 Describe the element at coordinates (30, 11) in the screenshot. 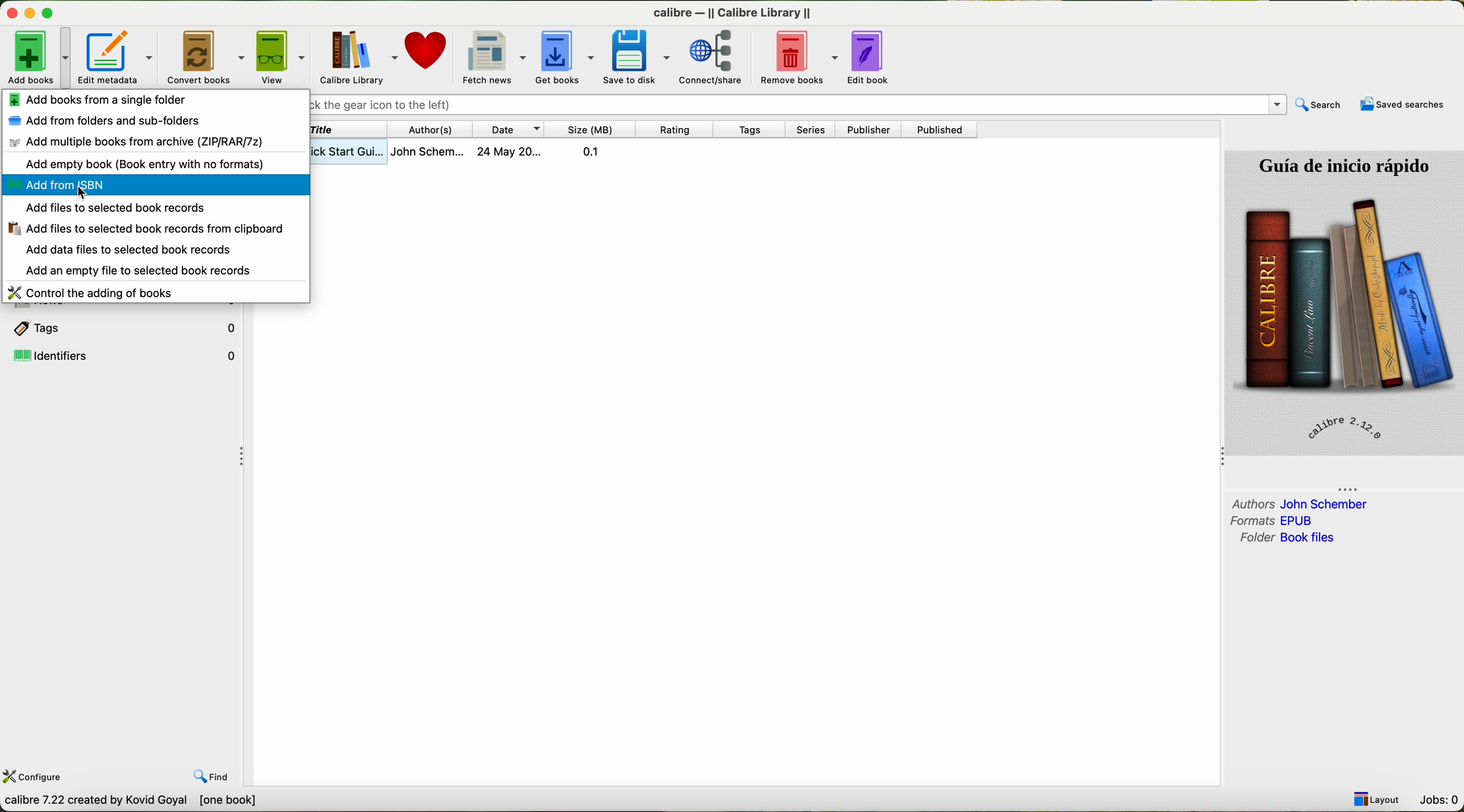

I see `disable buttons` at that location.